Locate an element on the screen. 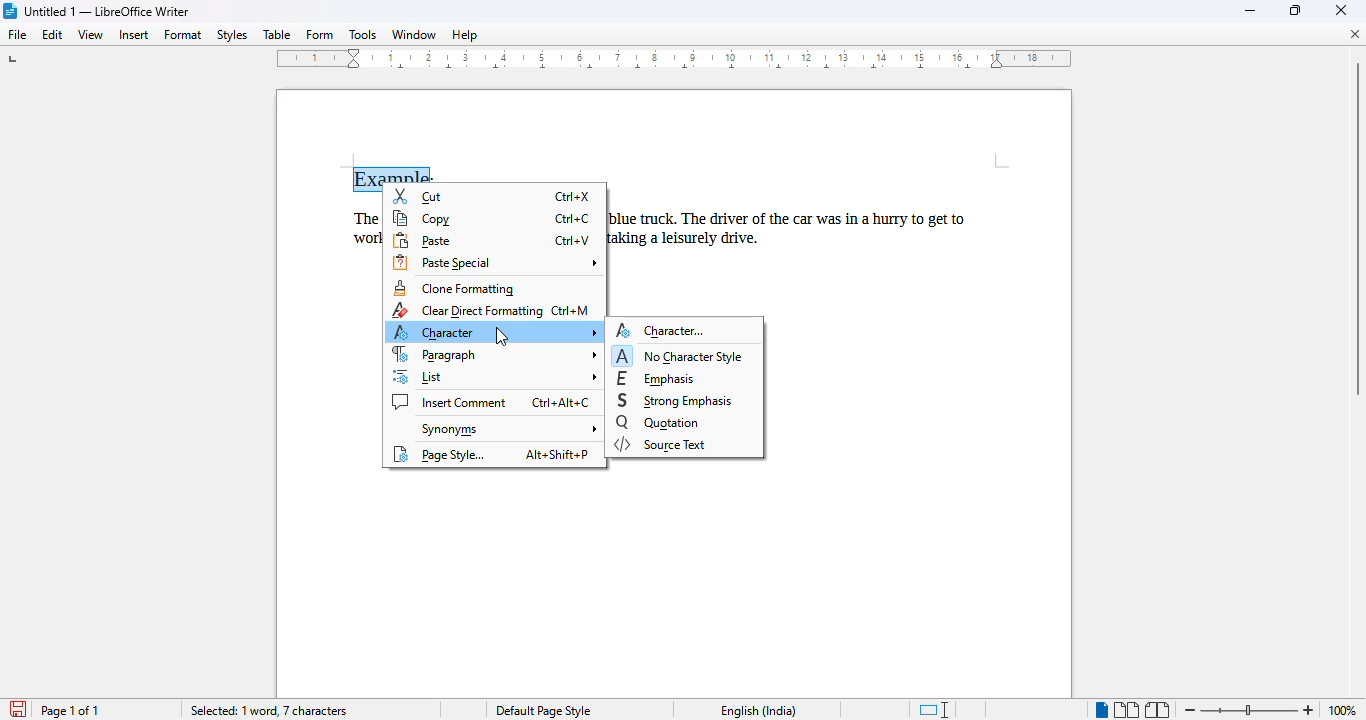 The image size is (1366, 720). tools is located at coordinates (363, 34).